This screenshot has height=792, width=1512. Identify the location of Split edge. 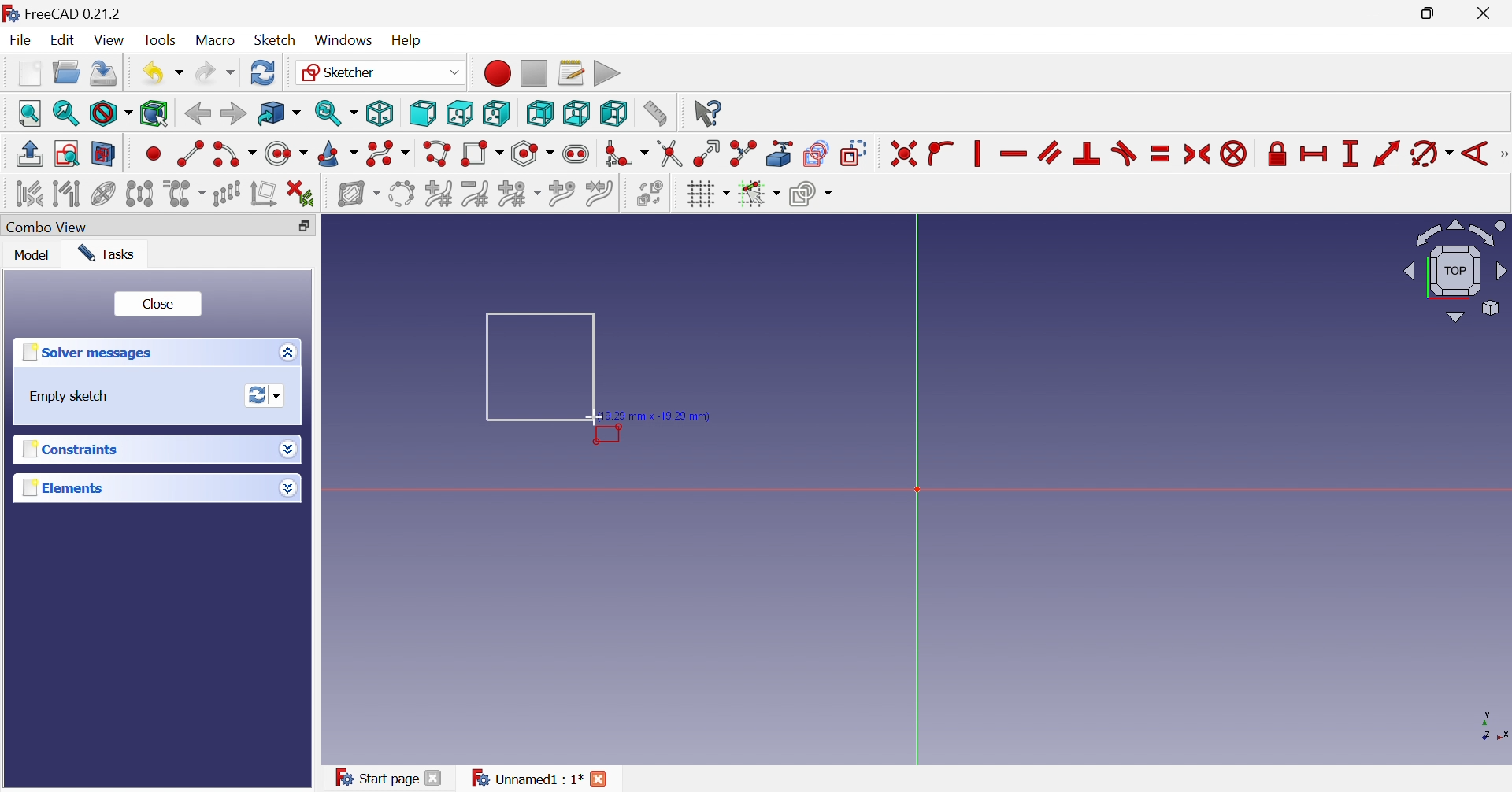
(744, 154).